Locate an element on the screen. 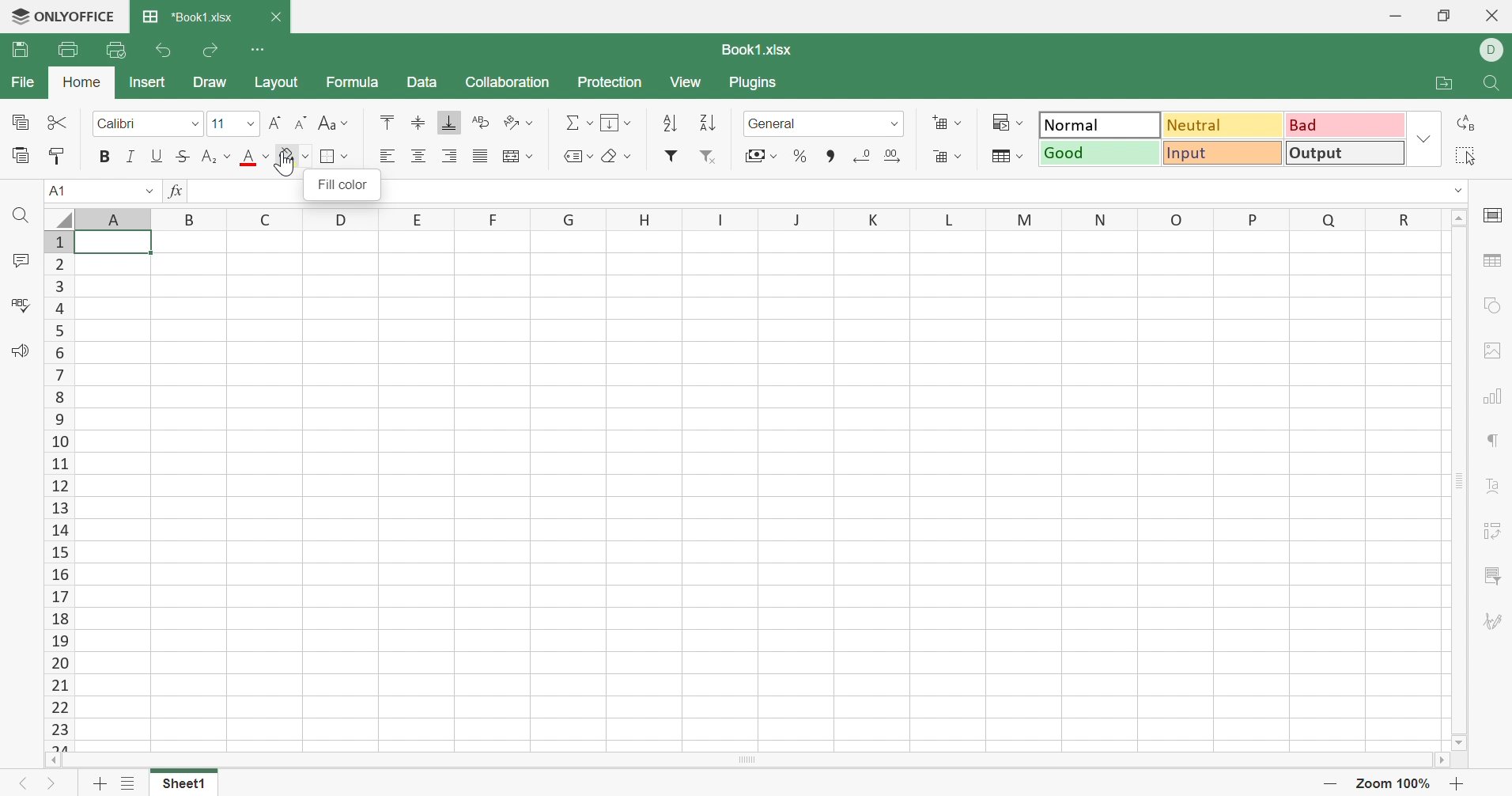 The height and width of the screenshot is (796, 1512). Font is located at coordinates (145, 123).